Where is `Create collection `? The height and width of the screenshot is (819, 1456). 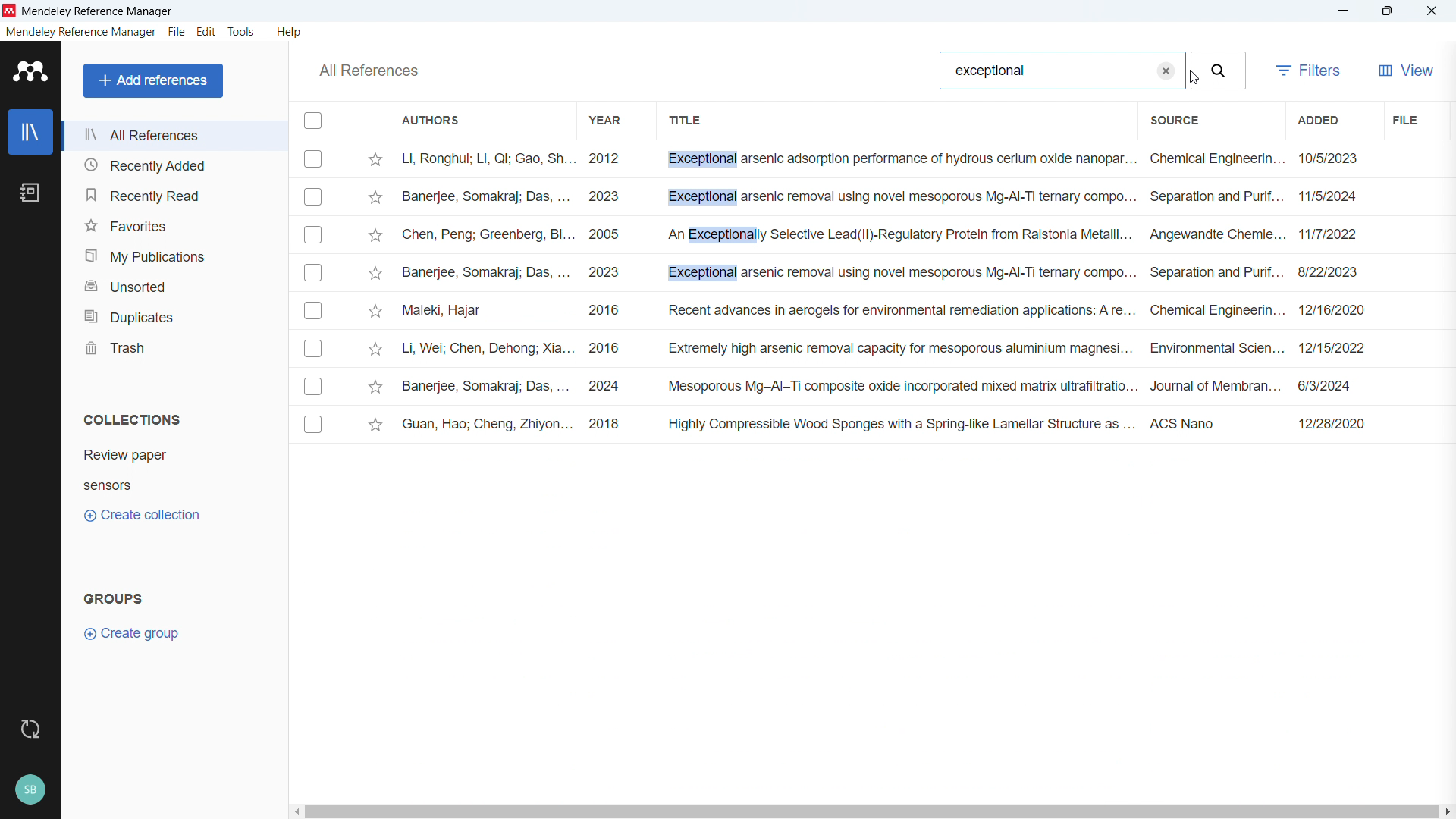
Create collection  is located at coordinates (141, 515).